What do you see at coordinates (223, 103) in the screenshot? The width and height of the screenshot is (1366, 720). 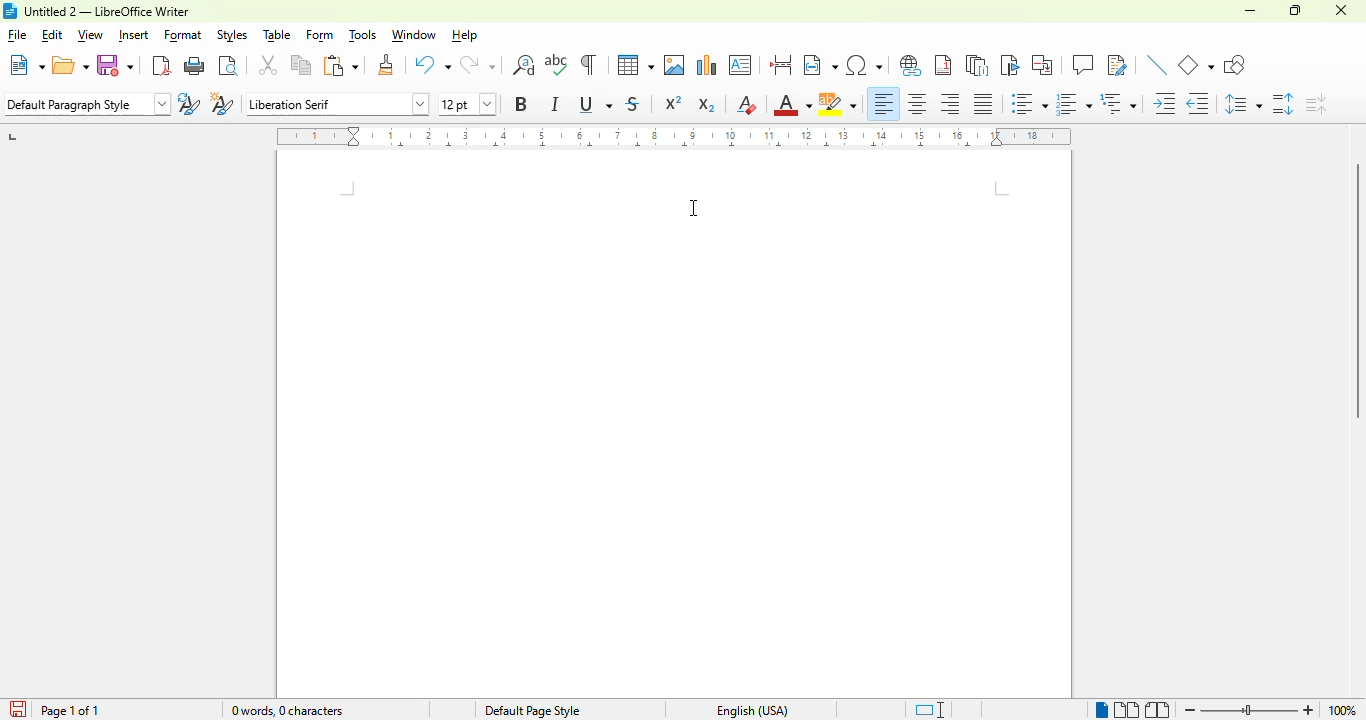 I see `new style from selection` at bounding box center [223, 103].